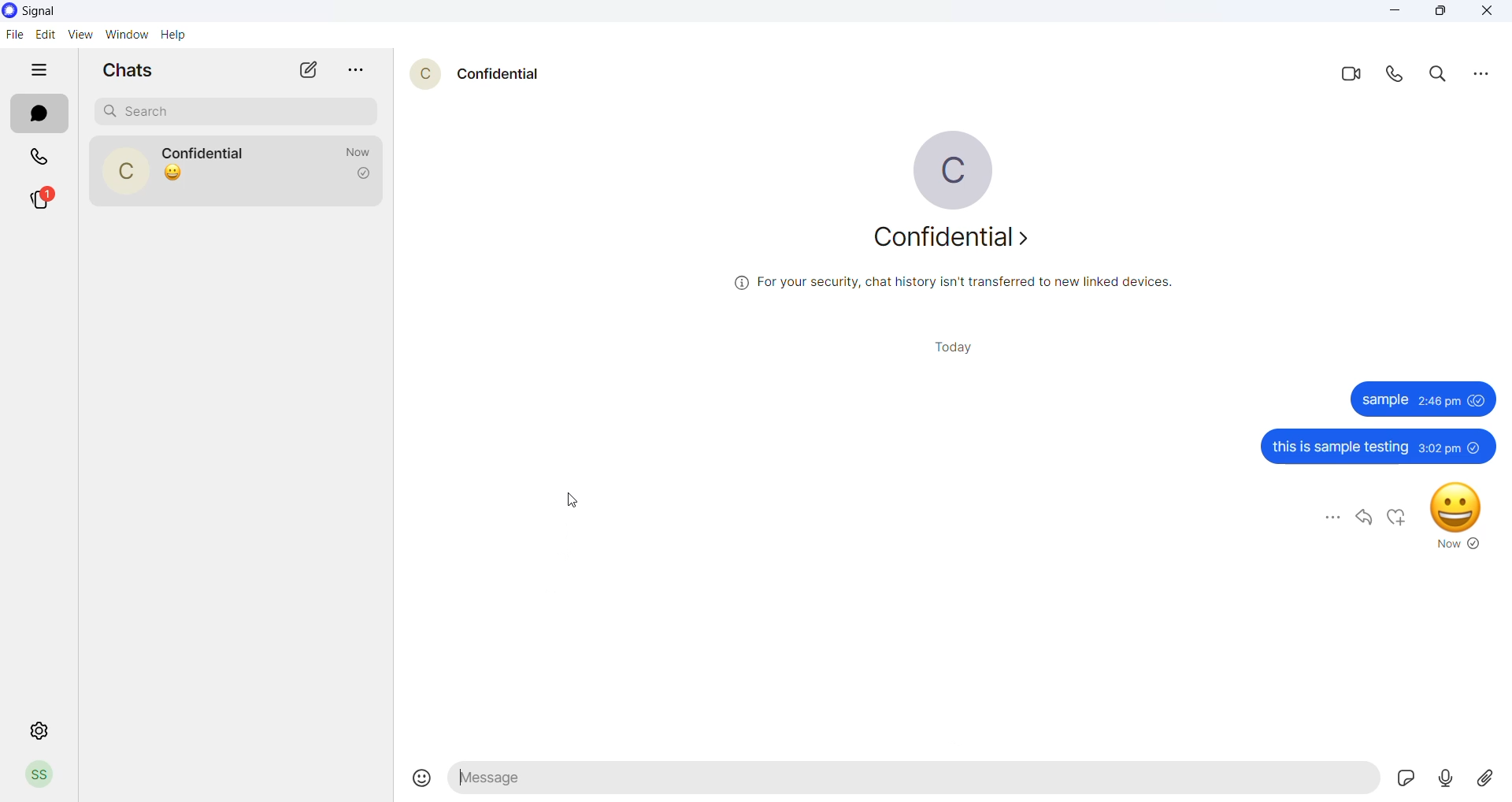  I want to click on calls, so click(37, 158).